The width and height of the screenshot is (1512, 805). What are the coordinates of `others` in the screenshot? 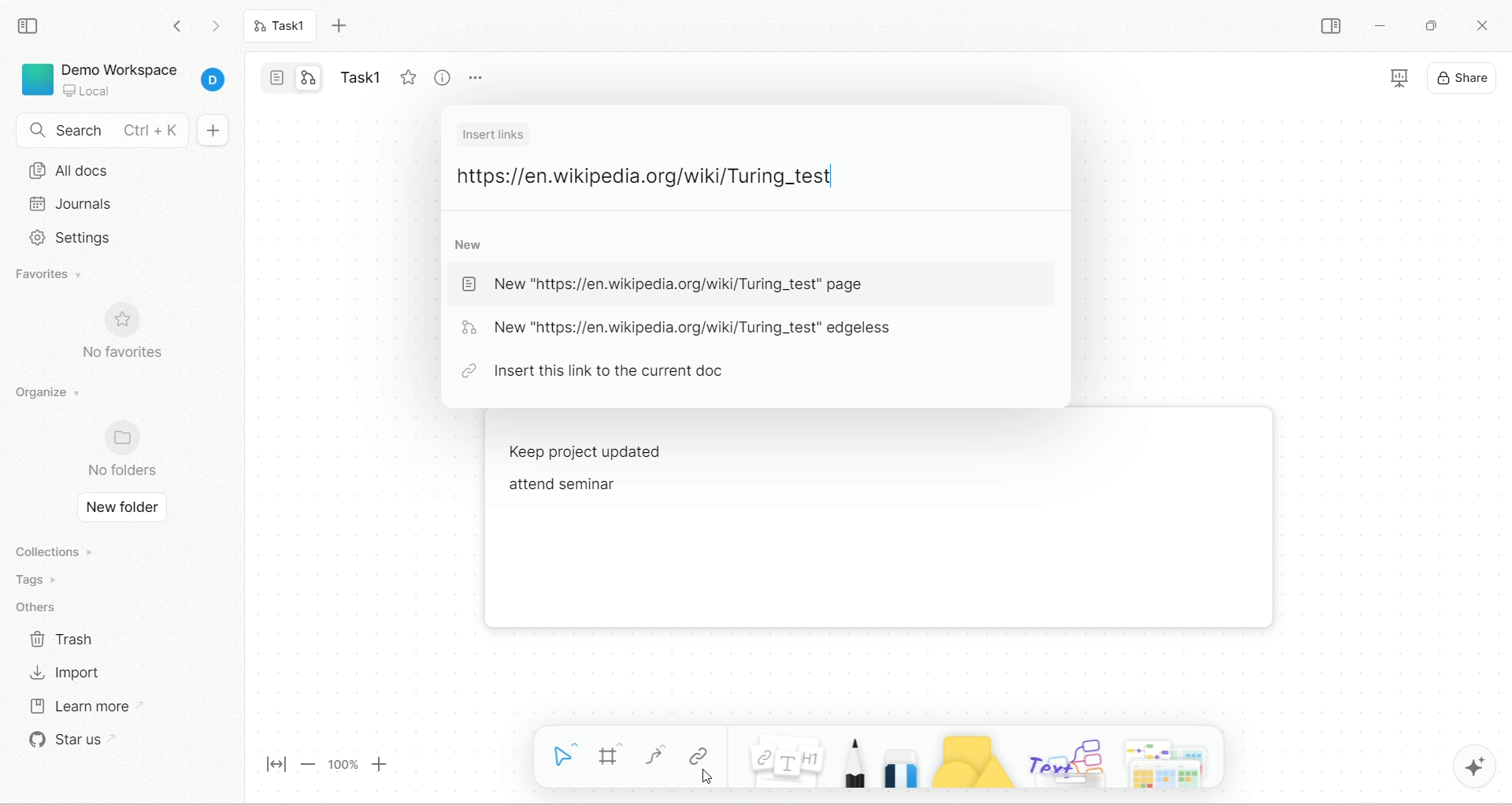 It's located at (42, 604).